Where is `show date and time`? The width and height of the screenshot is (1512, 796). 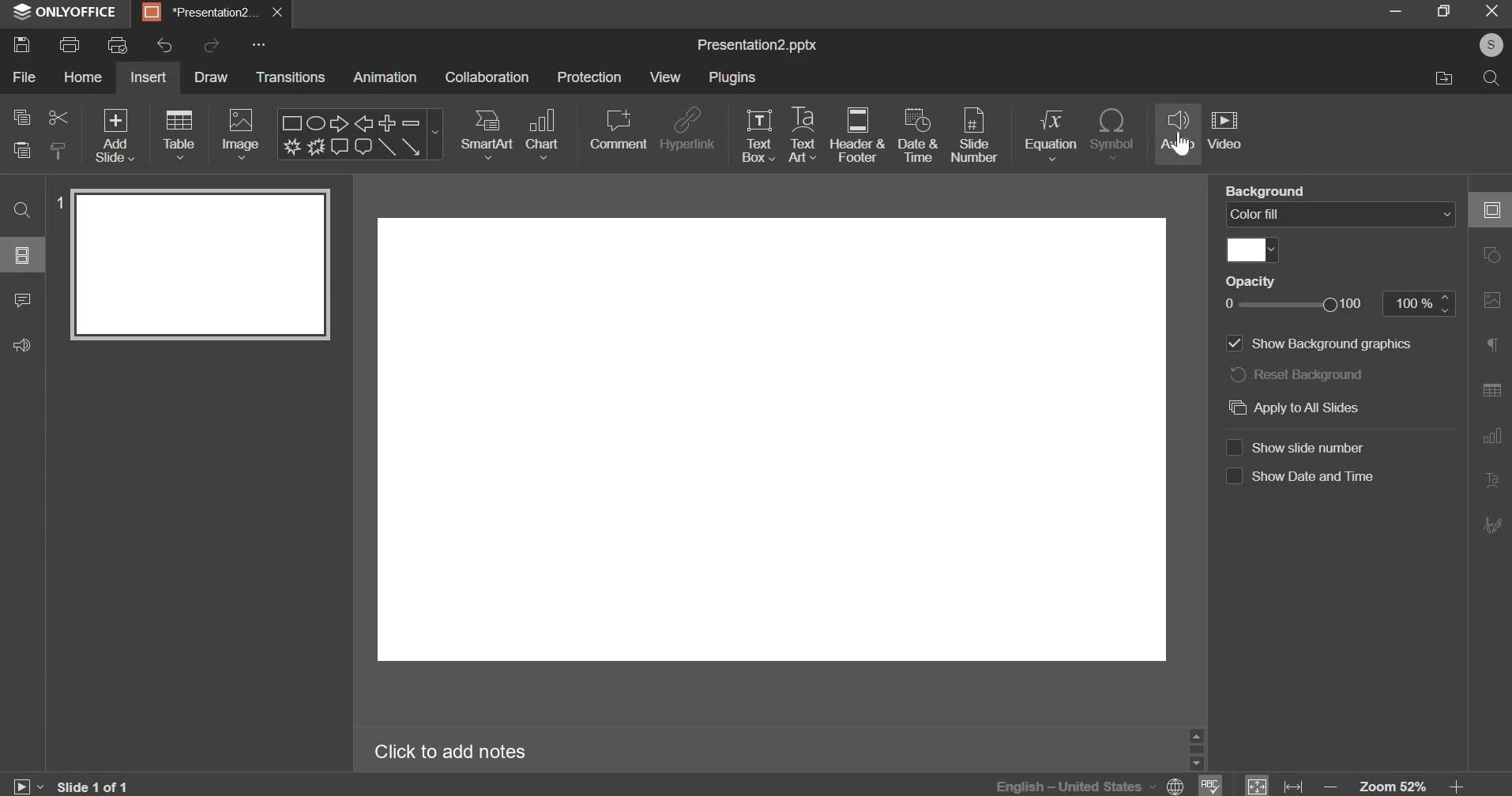 show date and time is located at coordinates (1303, 478).